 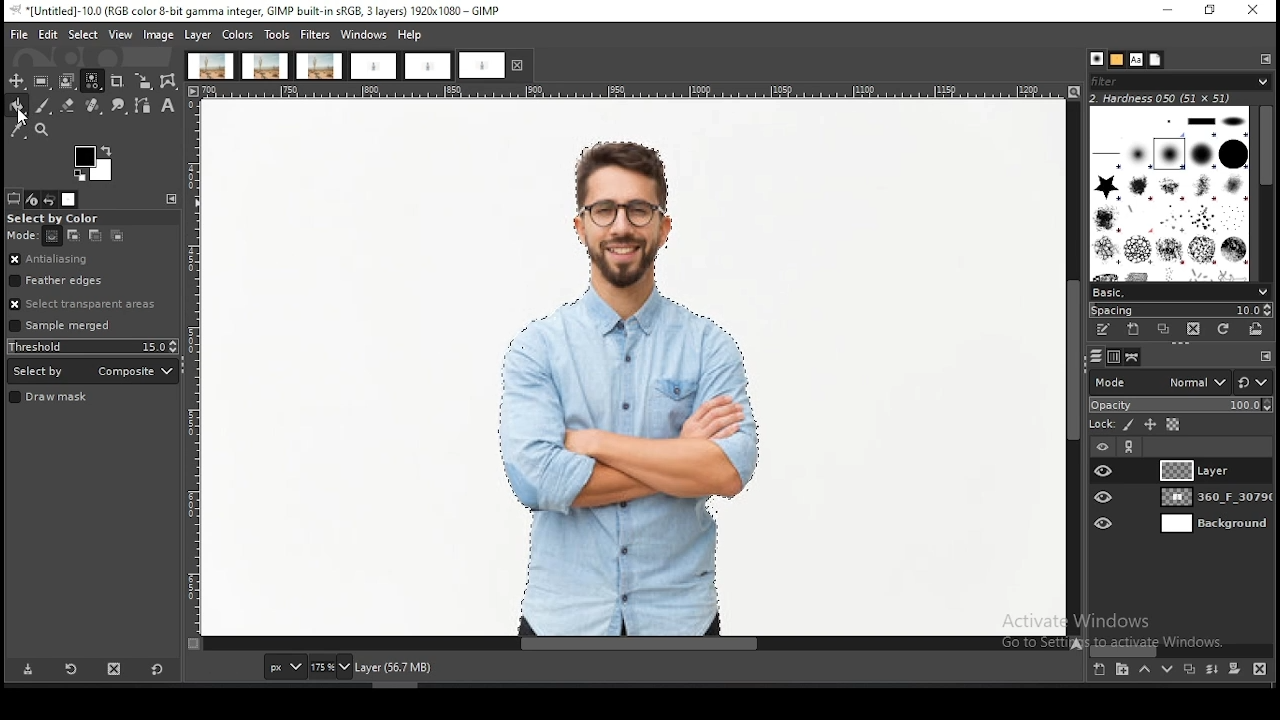 I want to click on help, so click(x=412, y=34).